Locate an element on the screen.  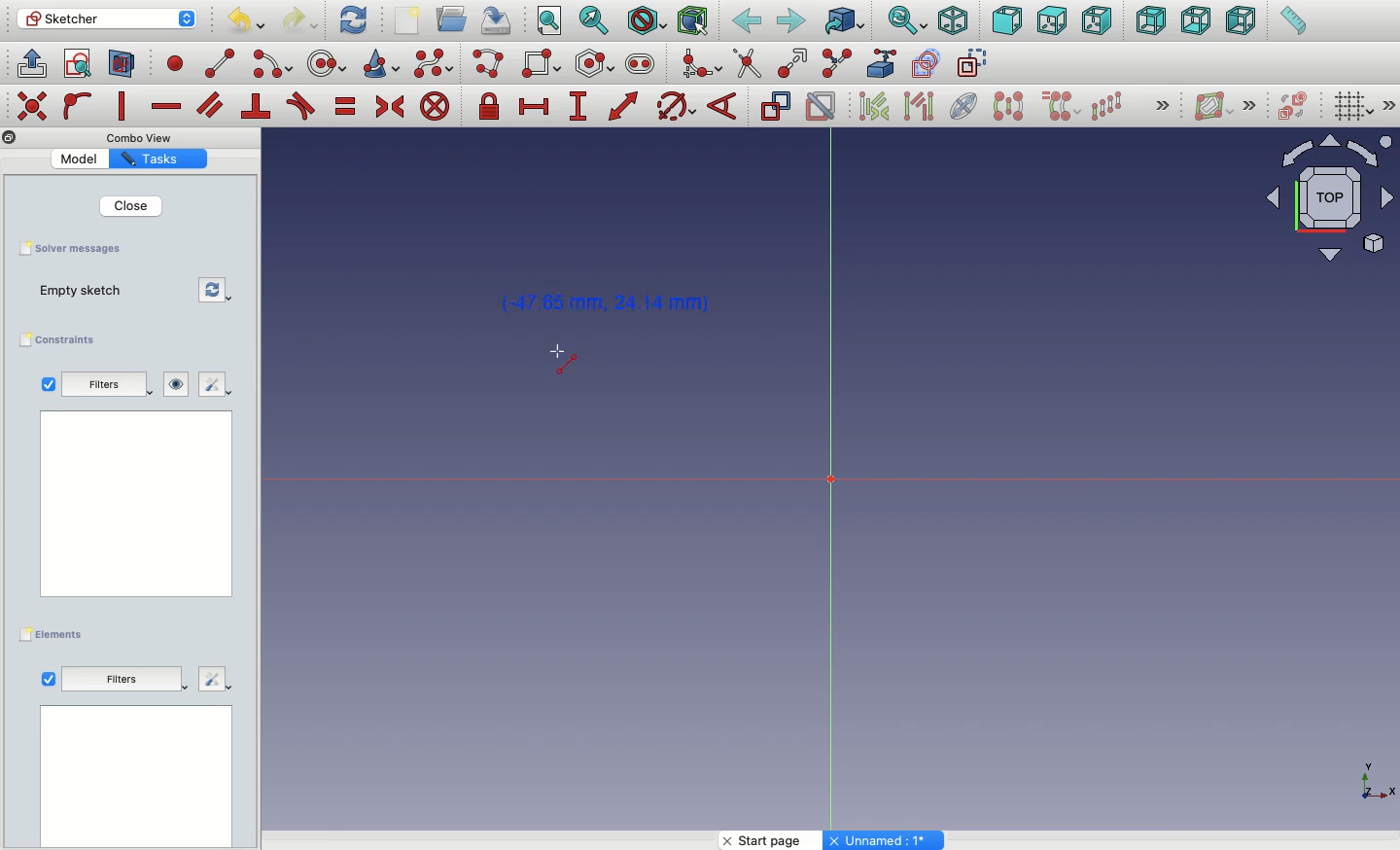
Constrain equal is located at coordinates (346, 110).